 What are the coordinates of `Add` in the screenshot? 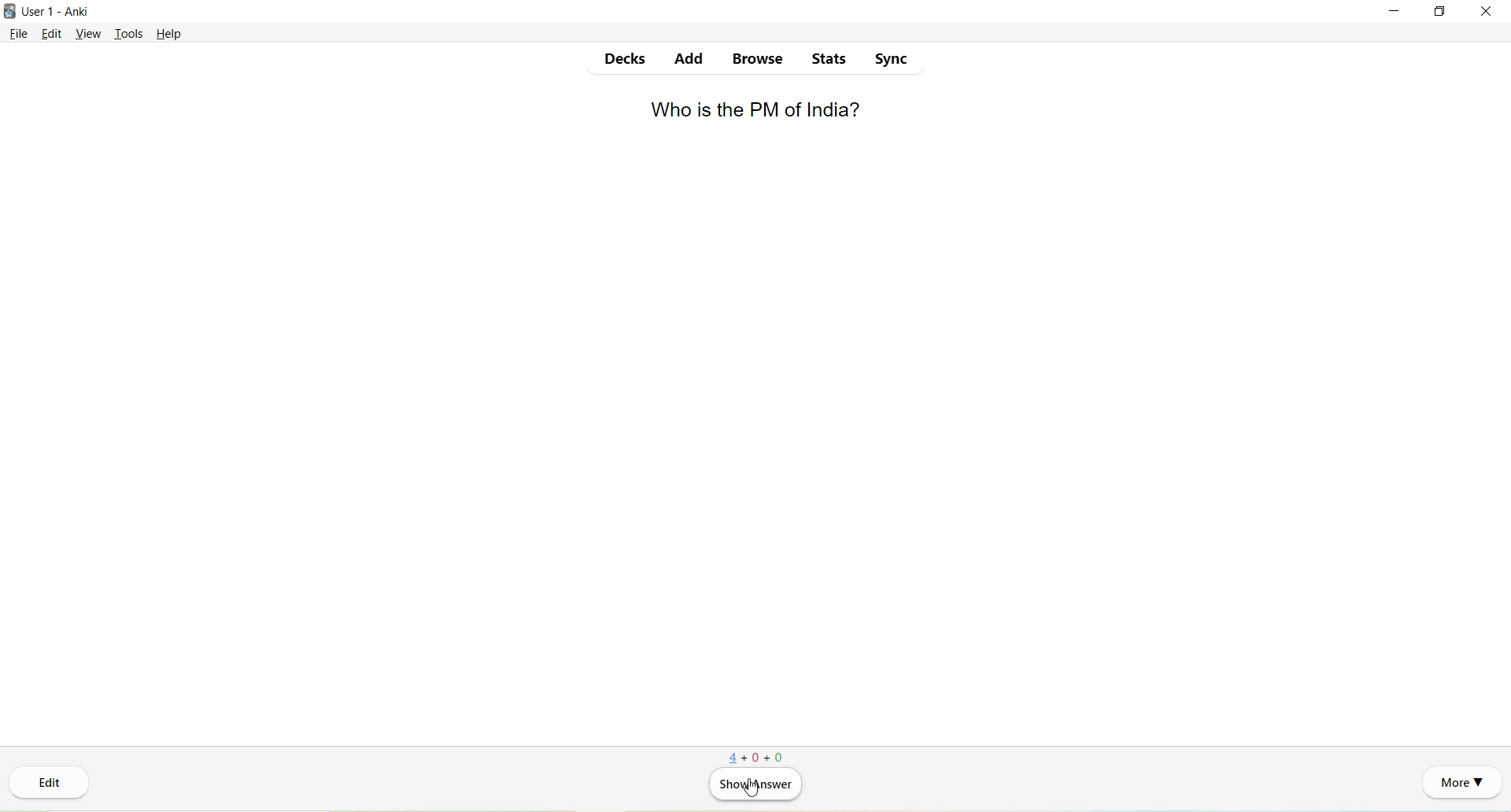 It's located at (690, 60).